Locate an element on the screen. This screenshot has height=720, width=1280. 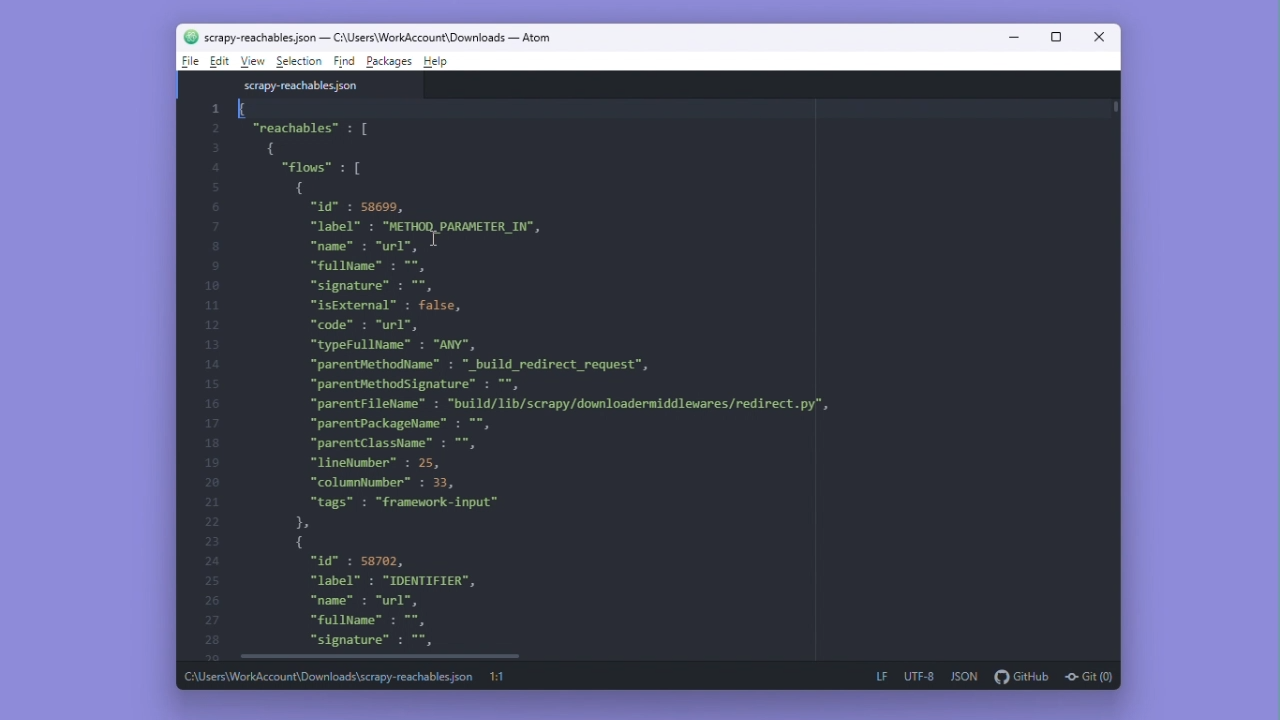
json is located at coordinates (963, 676).